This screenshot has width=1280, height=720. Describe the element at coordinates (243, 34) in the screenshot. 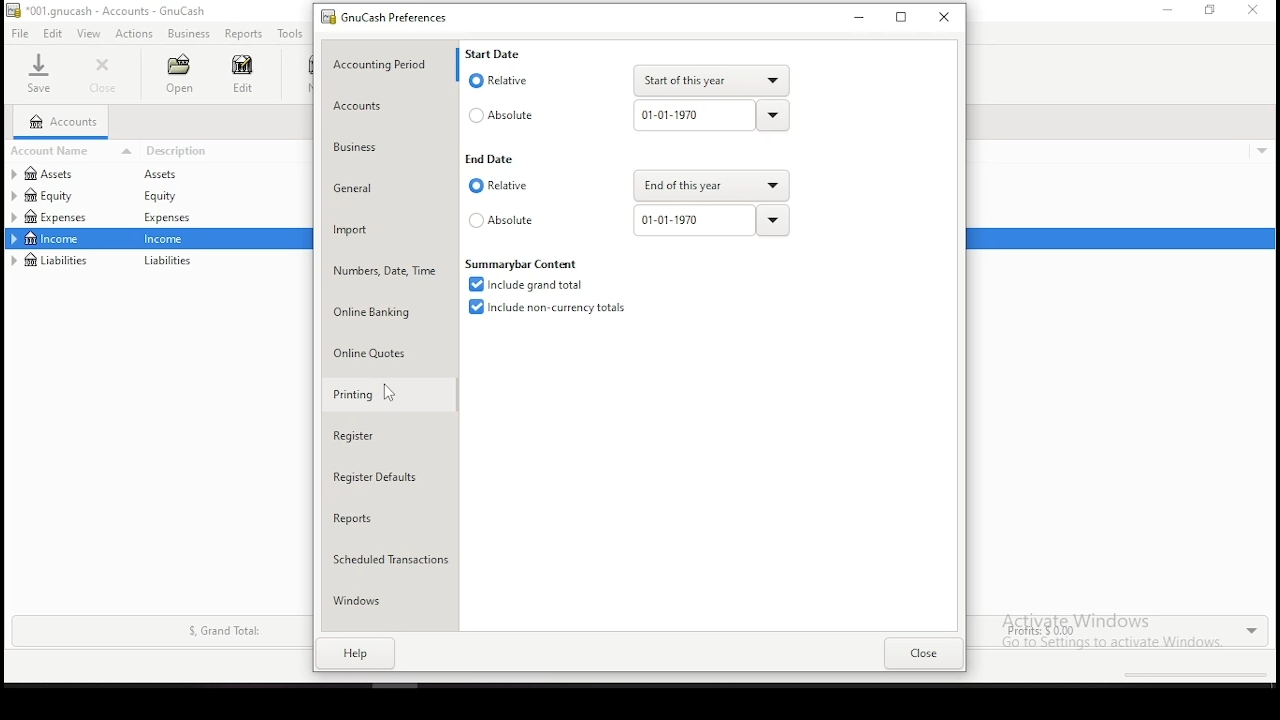

I see `reports` at that location.